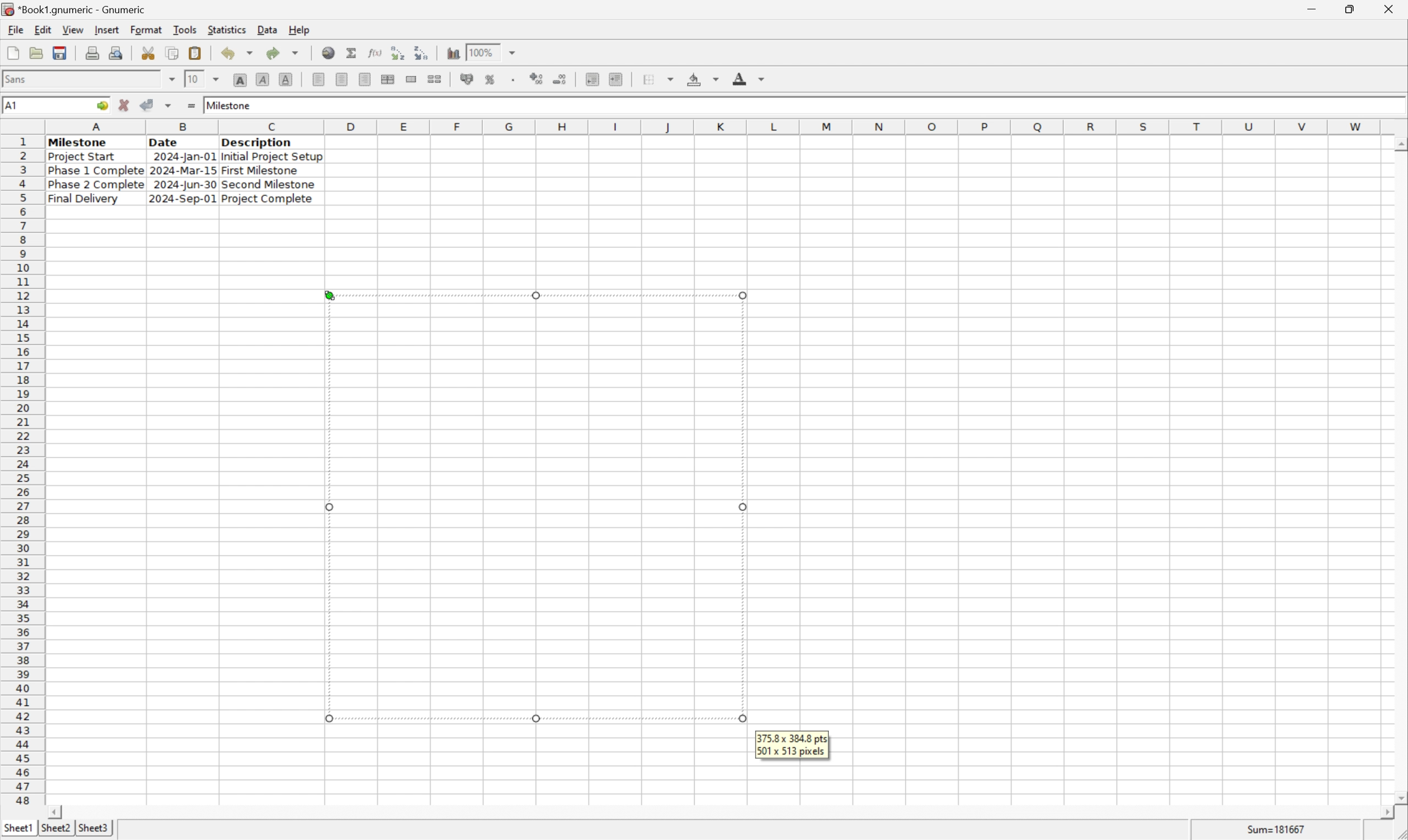 The width and height of the screenshot is (1408, 840). What do you see at coordinates (452, 53) in the screenshot?
I see `insert chart` at bounding box center [452, 53].